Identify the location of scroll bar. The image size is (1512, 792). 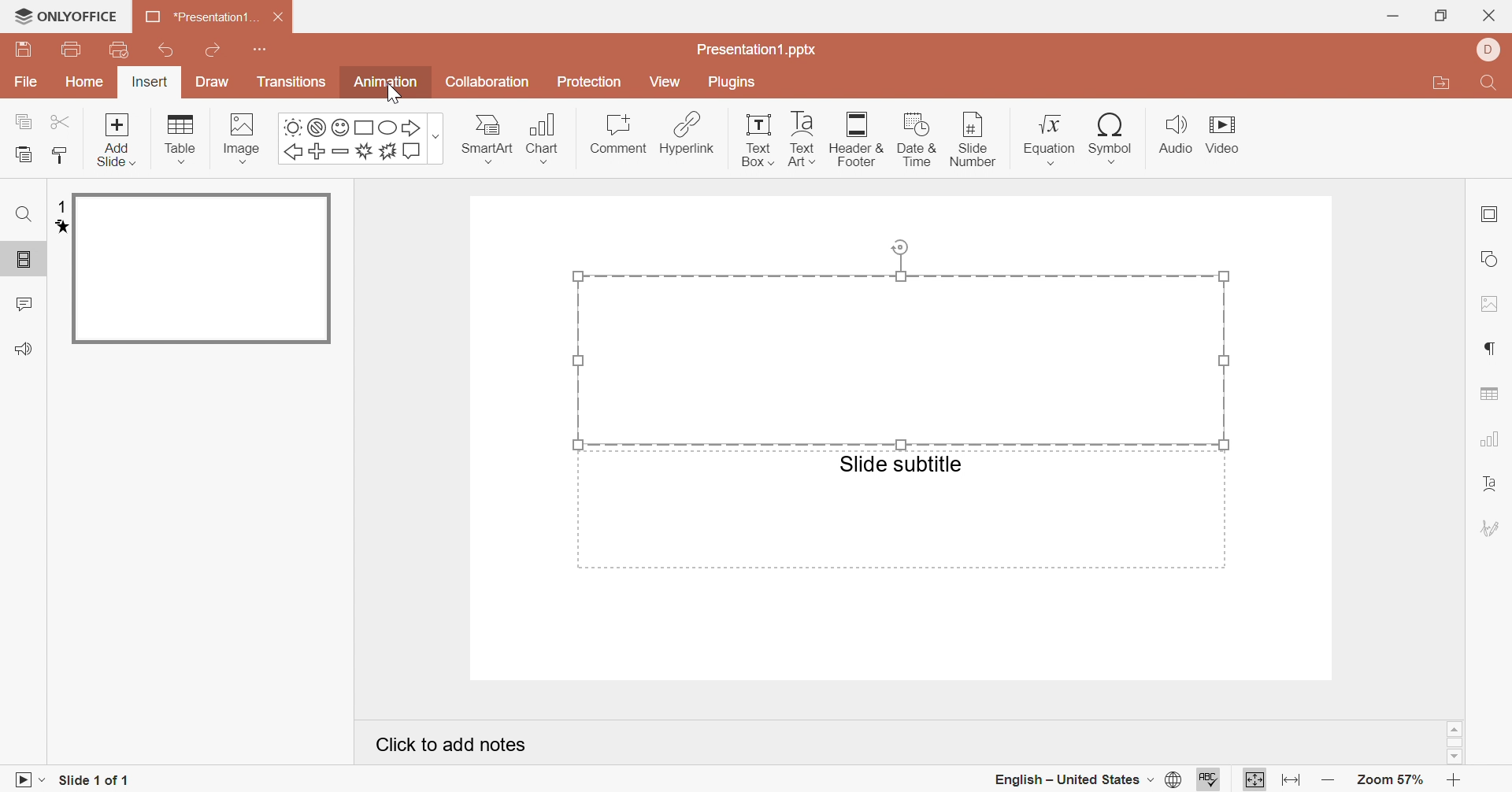
(1455, 744).